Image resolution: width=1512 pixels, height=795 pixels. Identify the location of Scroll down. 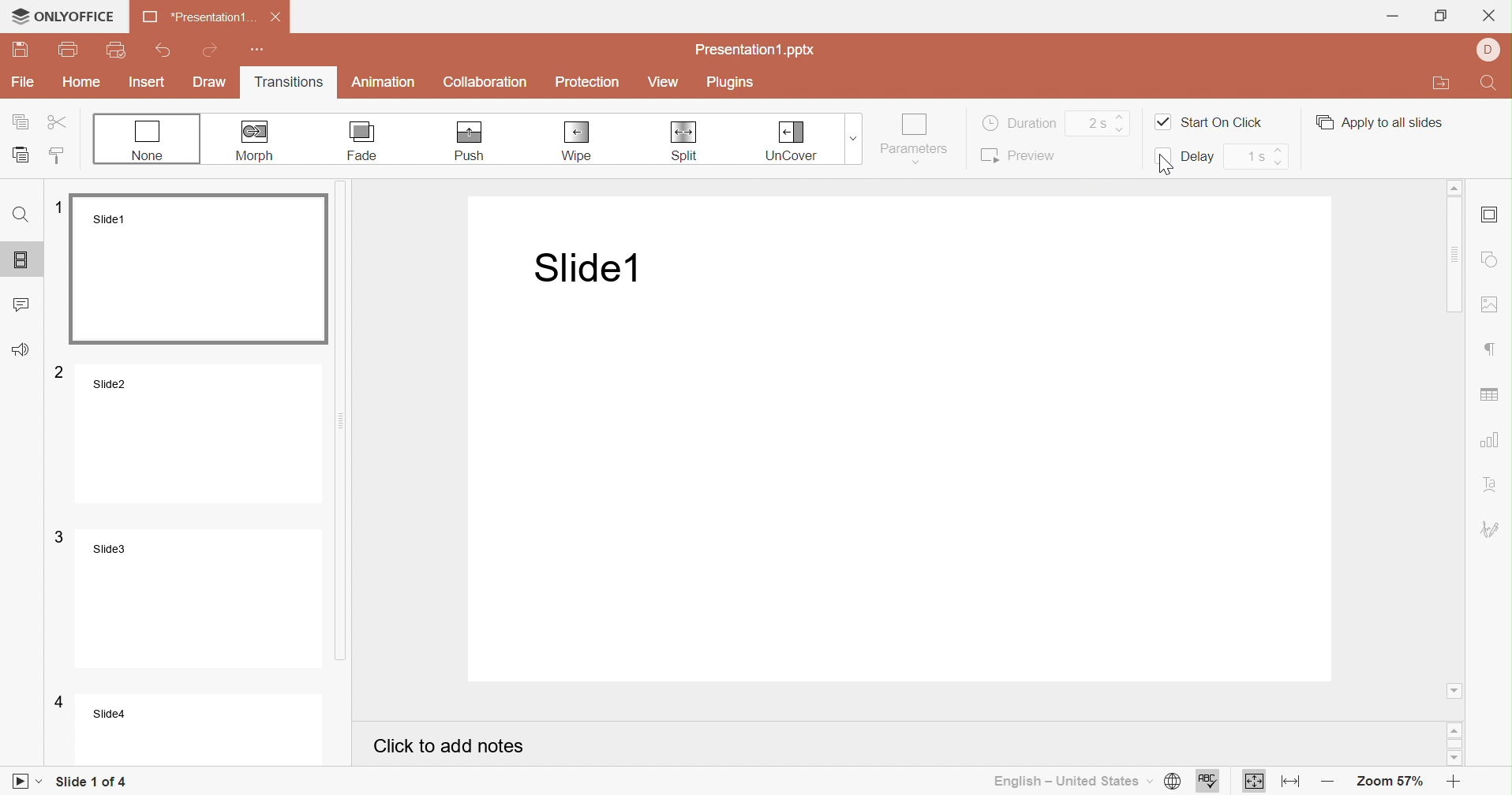
(1458, 761).